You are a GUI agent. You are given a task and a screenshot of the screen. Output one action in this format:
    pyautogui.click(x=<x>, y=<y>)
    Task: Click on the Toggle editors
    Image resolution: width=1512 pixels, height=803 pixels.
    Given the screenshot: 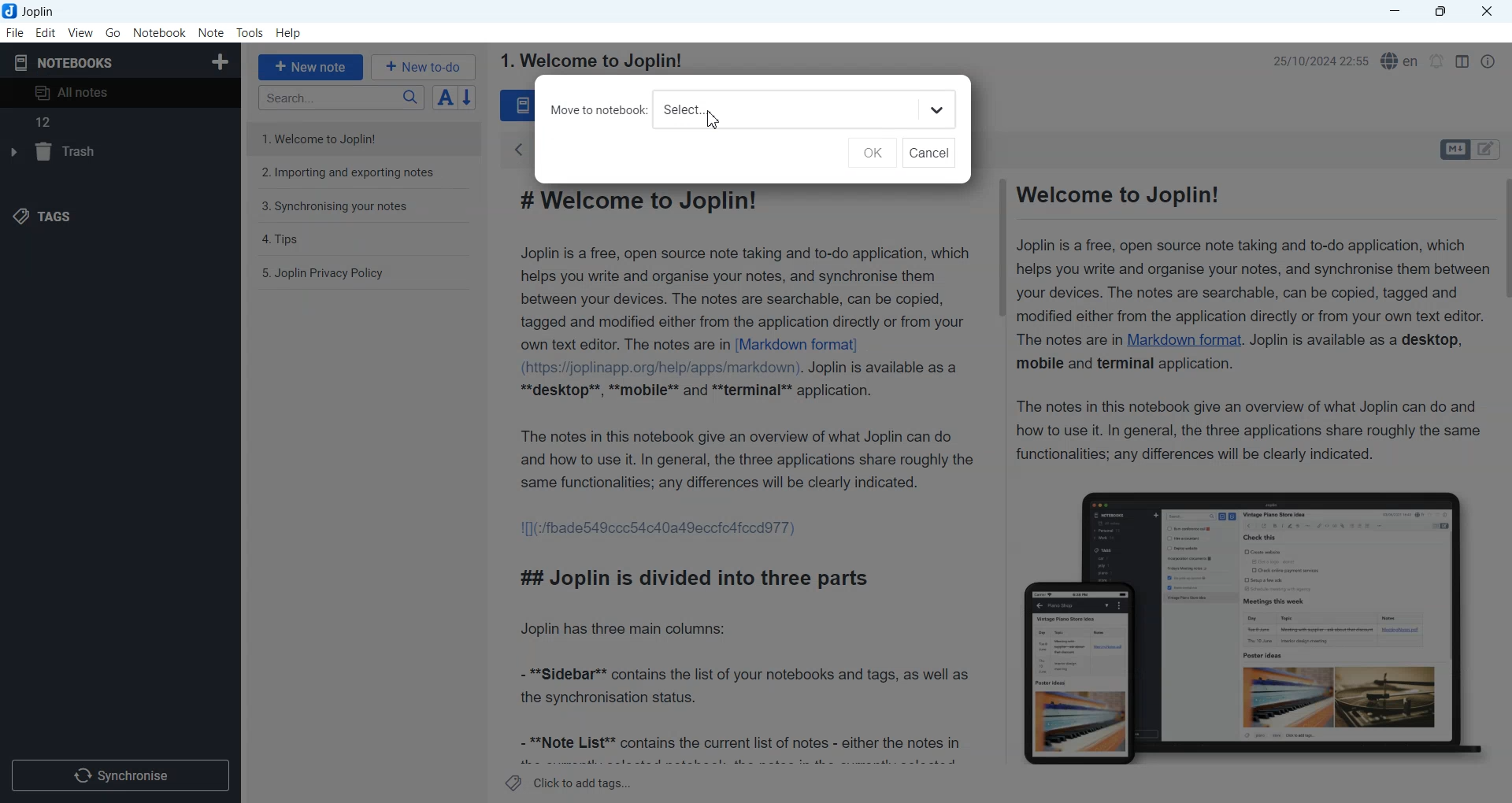 What is the action you would take?
    pyautogui.click(x=1454, y=150)
    